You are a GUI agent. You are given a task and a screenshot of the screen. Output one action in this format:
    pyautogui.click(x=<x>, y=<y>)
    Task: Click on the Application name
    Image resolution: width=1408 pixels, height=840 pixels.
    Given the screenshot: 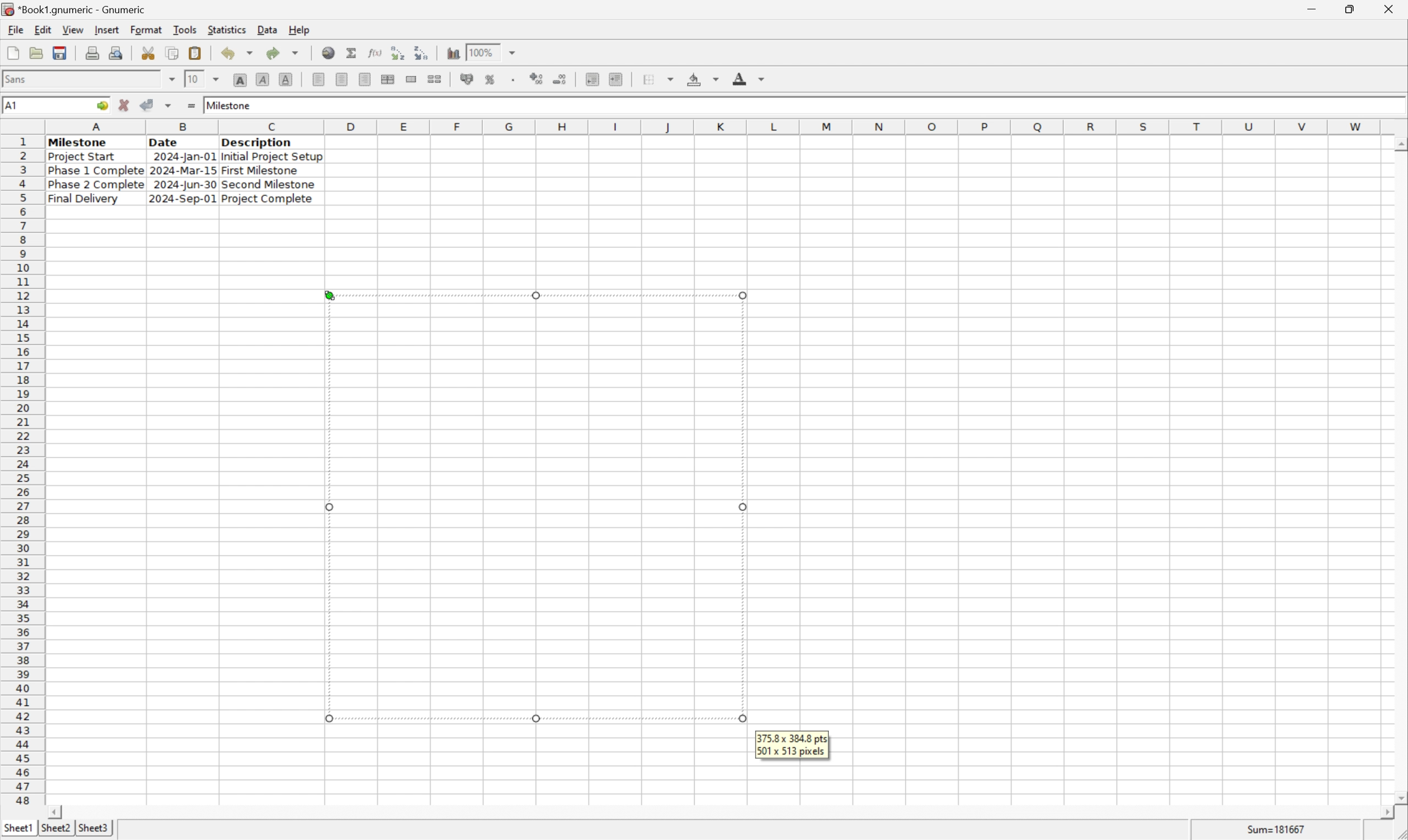 What is the action you would take?
    pyautogui.click(x=75, y=10)
    